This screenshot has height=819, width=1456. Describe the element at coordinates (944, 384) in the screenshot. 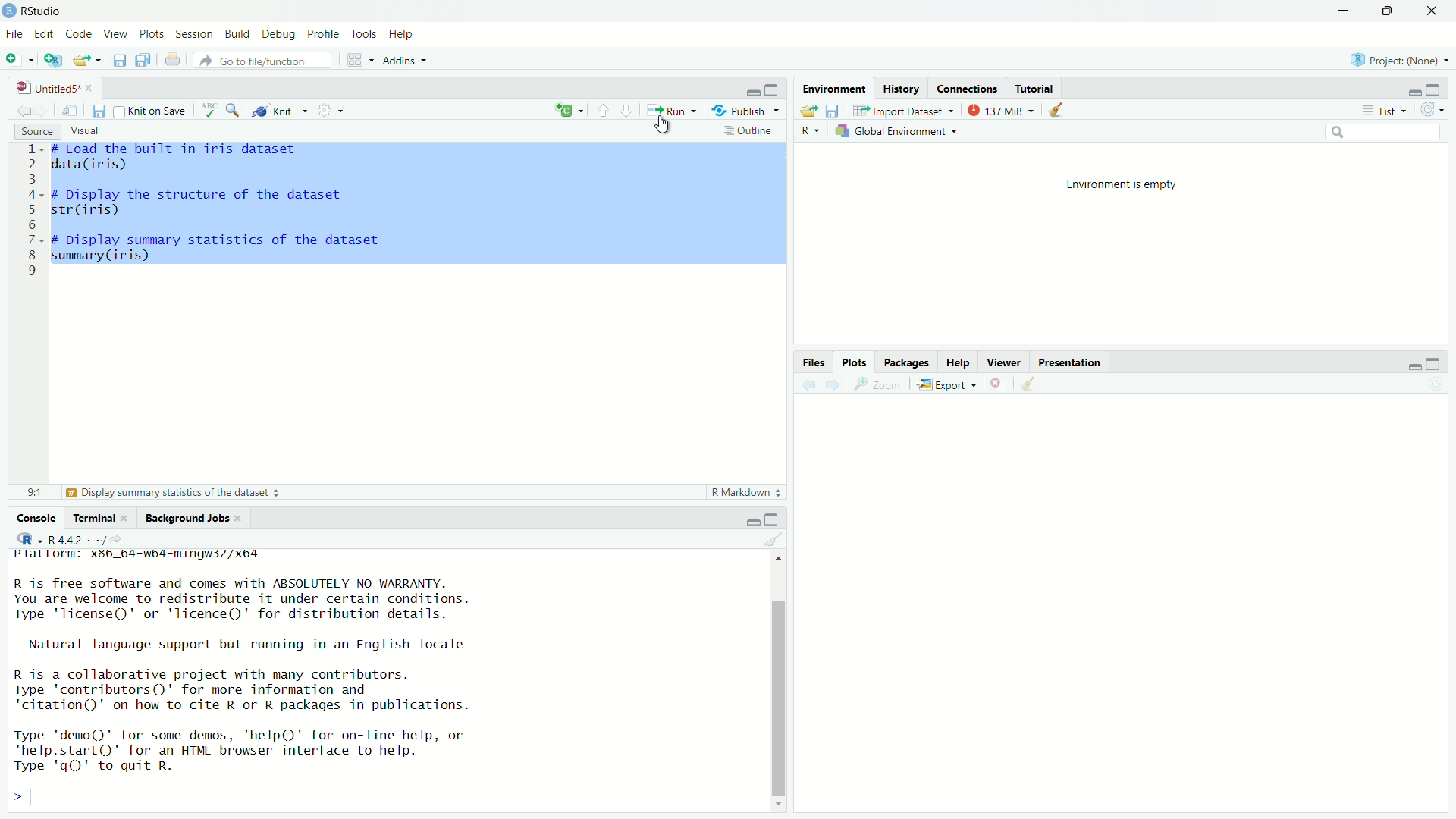

I see `Export` at that location.